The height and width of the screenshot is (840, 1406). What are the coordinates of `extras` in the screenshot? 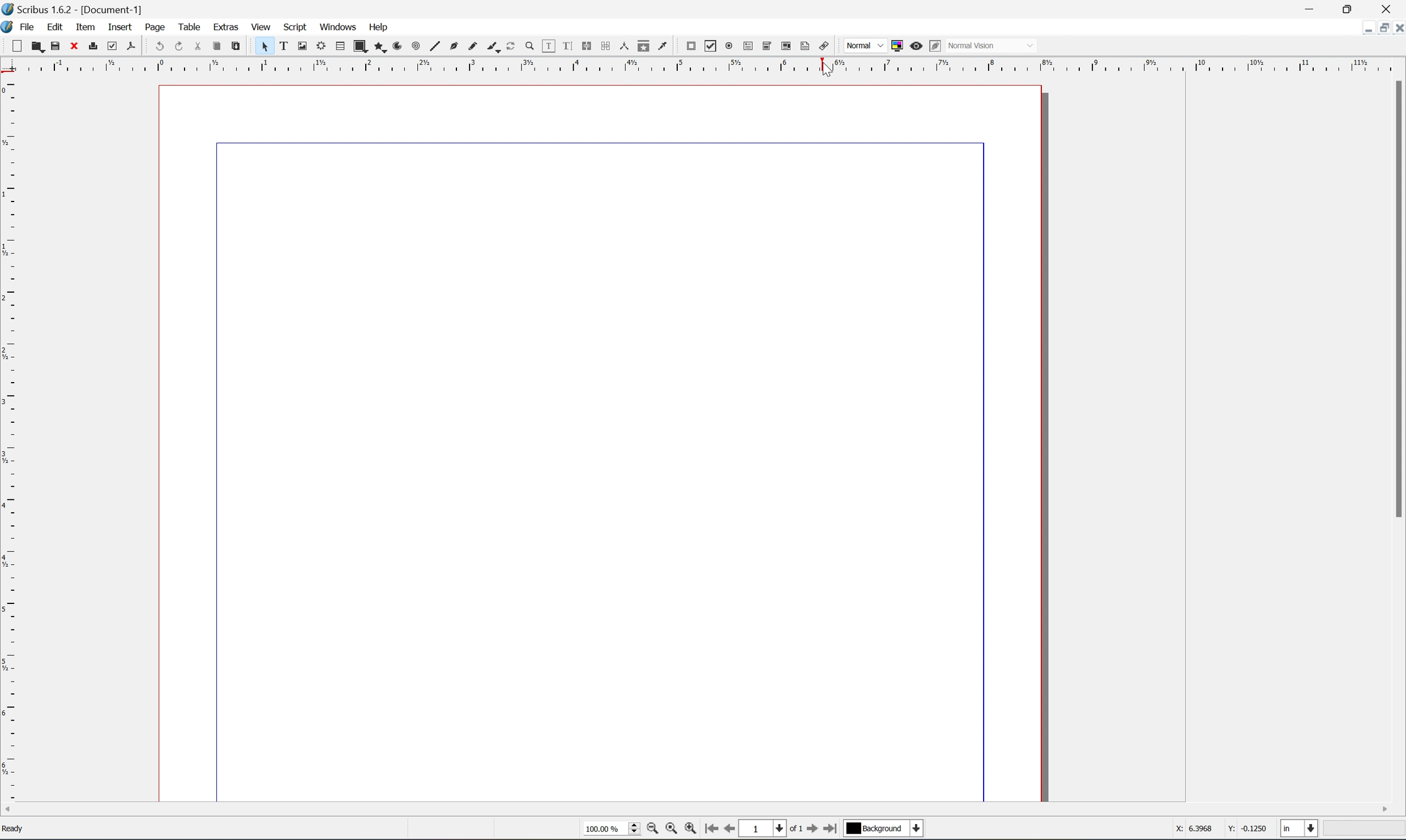 It's located at (220, 26).